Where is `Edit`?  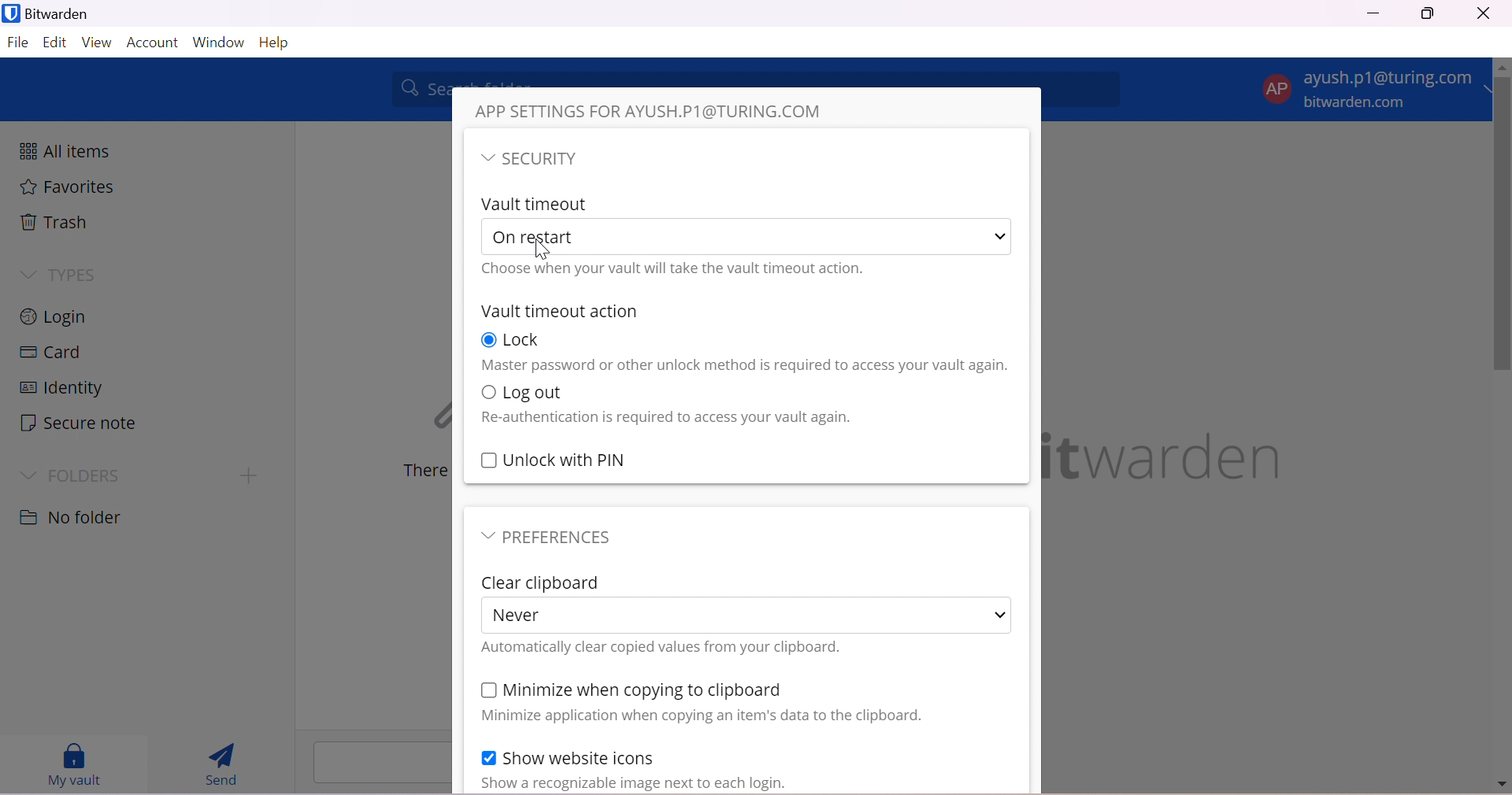 Edit is located at coordinates (54, 44).